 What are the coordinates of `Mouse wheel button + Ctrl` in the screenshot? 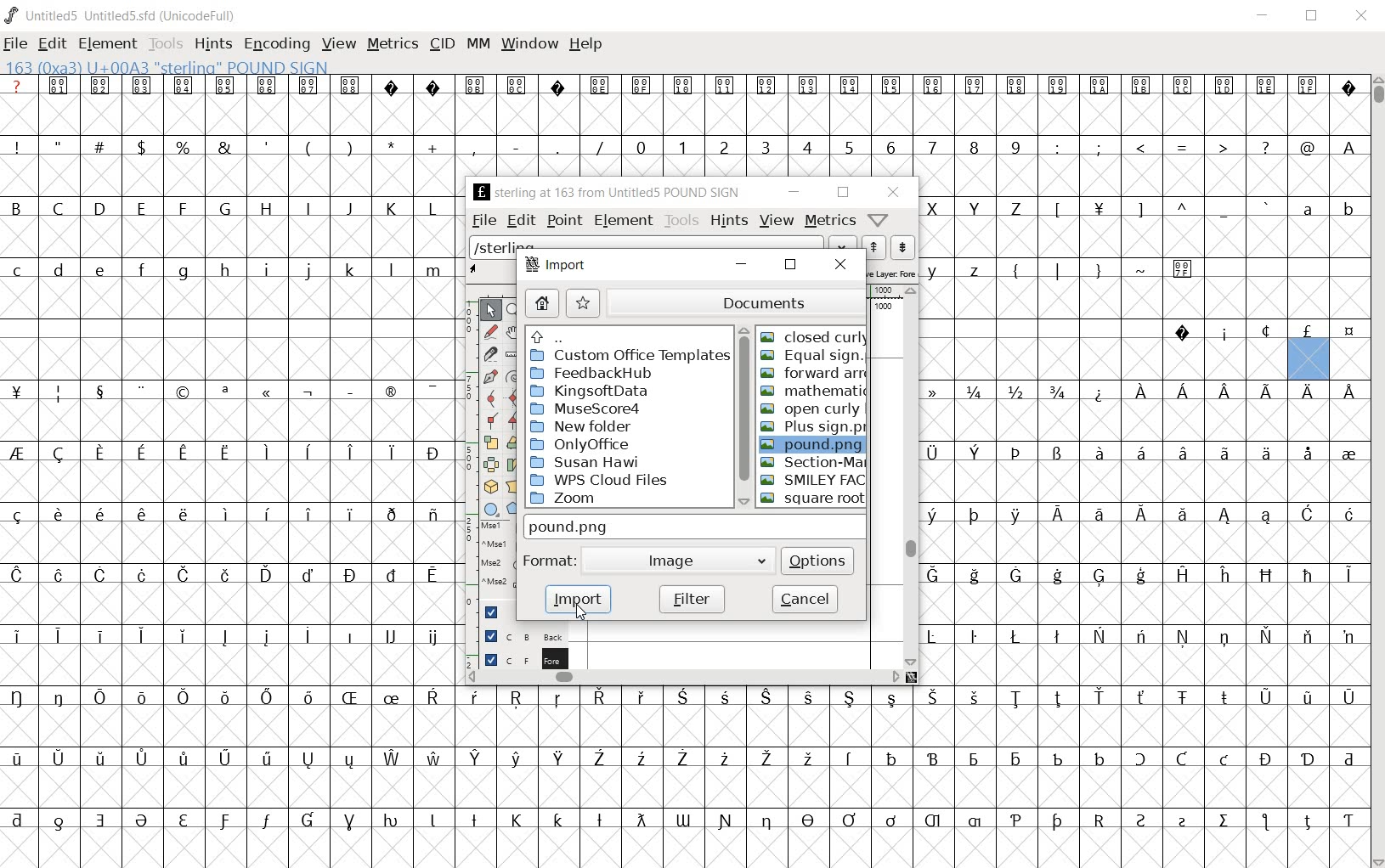 It's located at (497, 582).